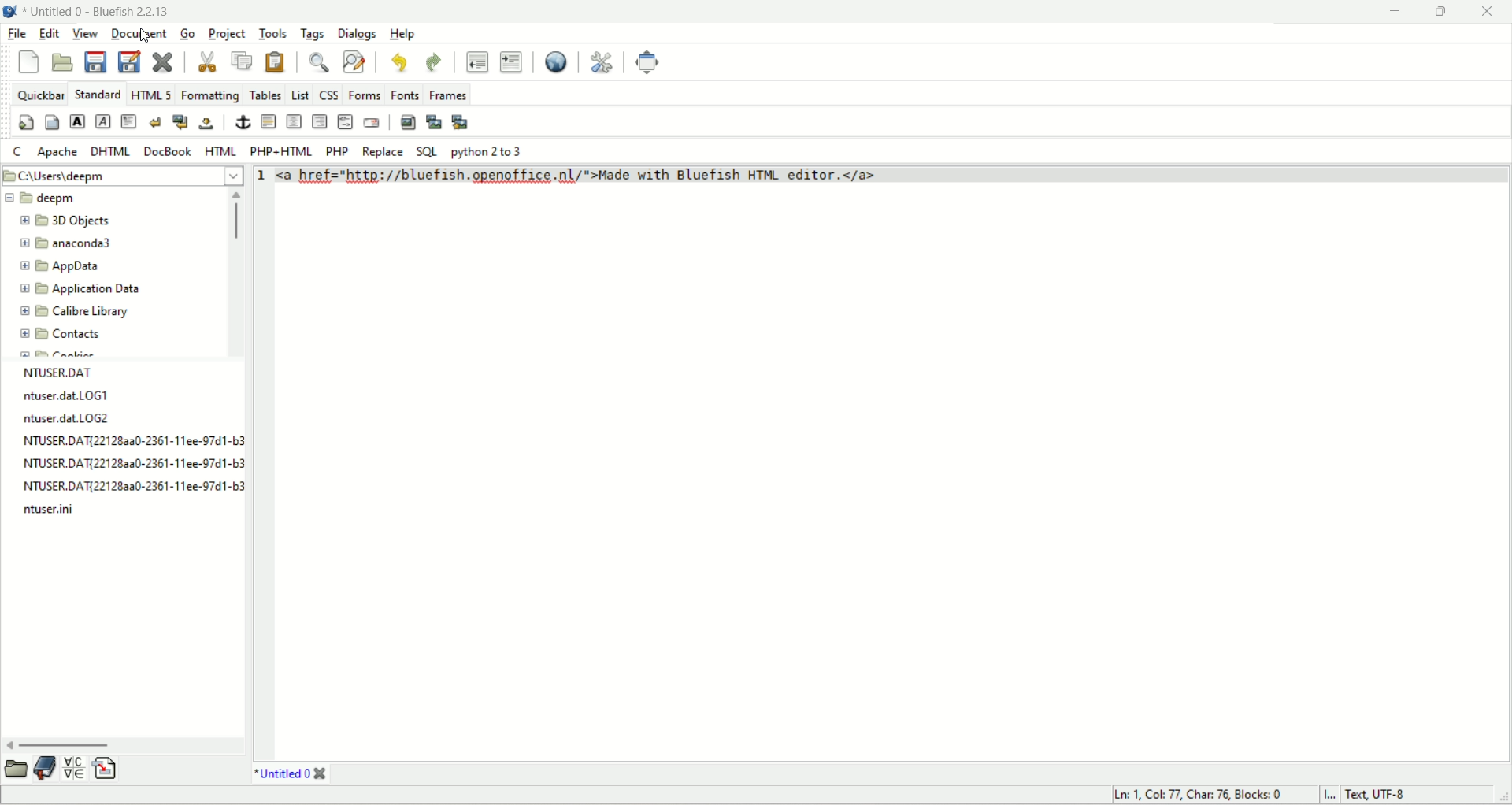 The height and width of the screenshot is (805, 1512). What do you see at coordinates (98, 93) in the screenshot?
I see `standard` at bounding box center [98, 93].